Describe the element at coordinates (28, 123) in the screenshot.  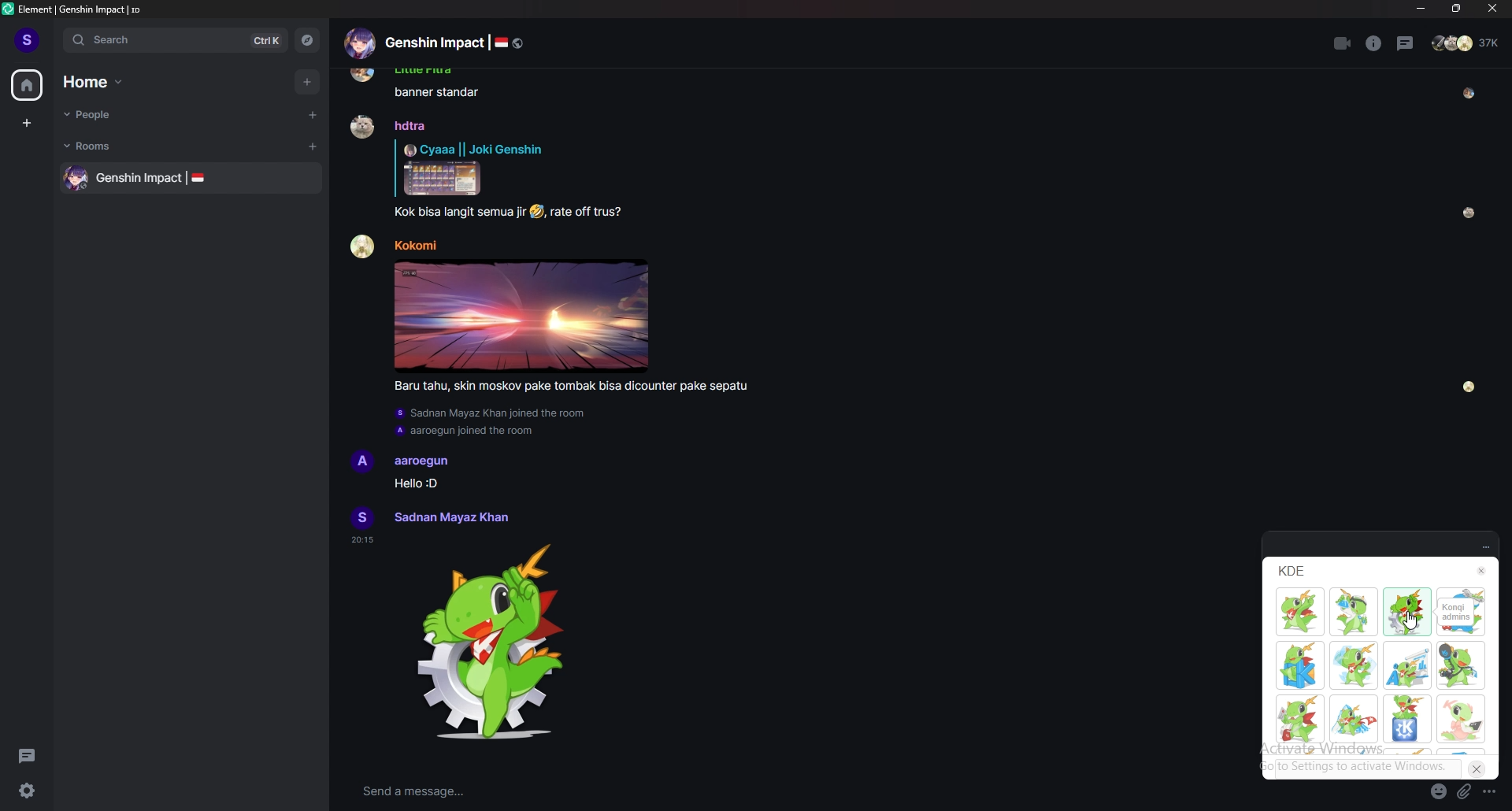
I see `create a space` at that location.